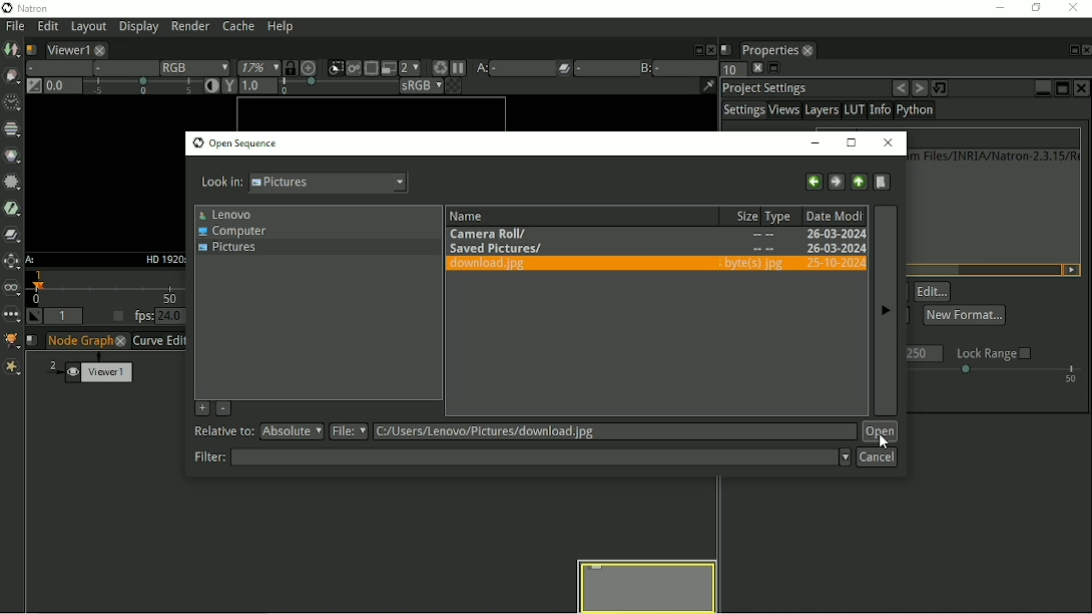 The height and width of the screenshot is (614, 1092). I want to click on Layers, so click(821, 111).